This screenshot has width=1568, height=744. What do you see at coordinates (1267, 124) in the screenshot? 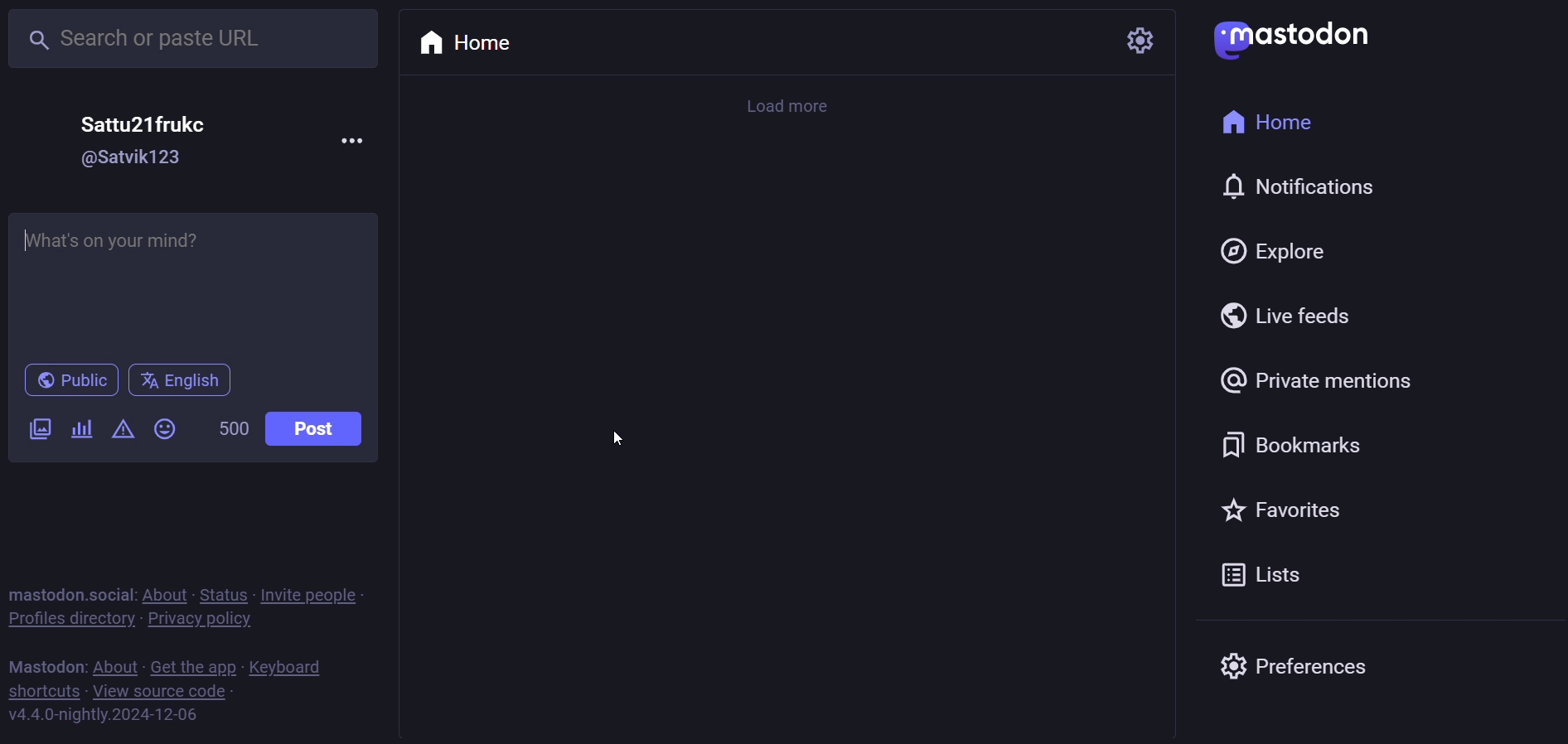
I see `home` at bounding box center [1267, 124].